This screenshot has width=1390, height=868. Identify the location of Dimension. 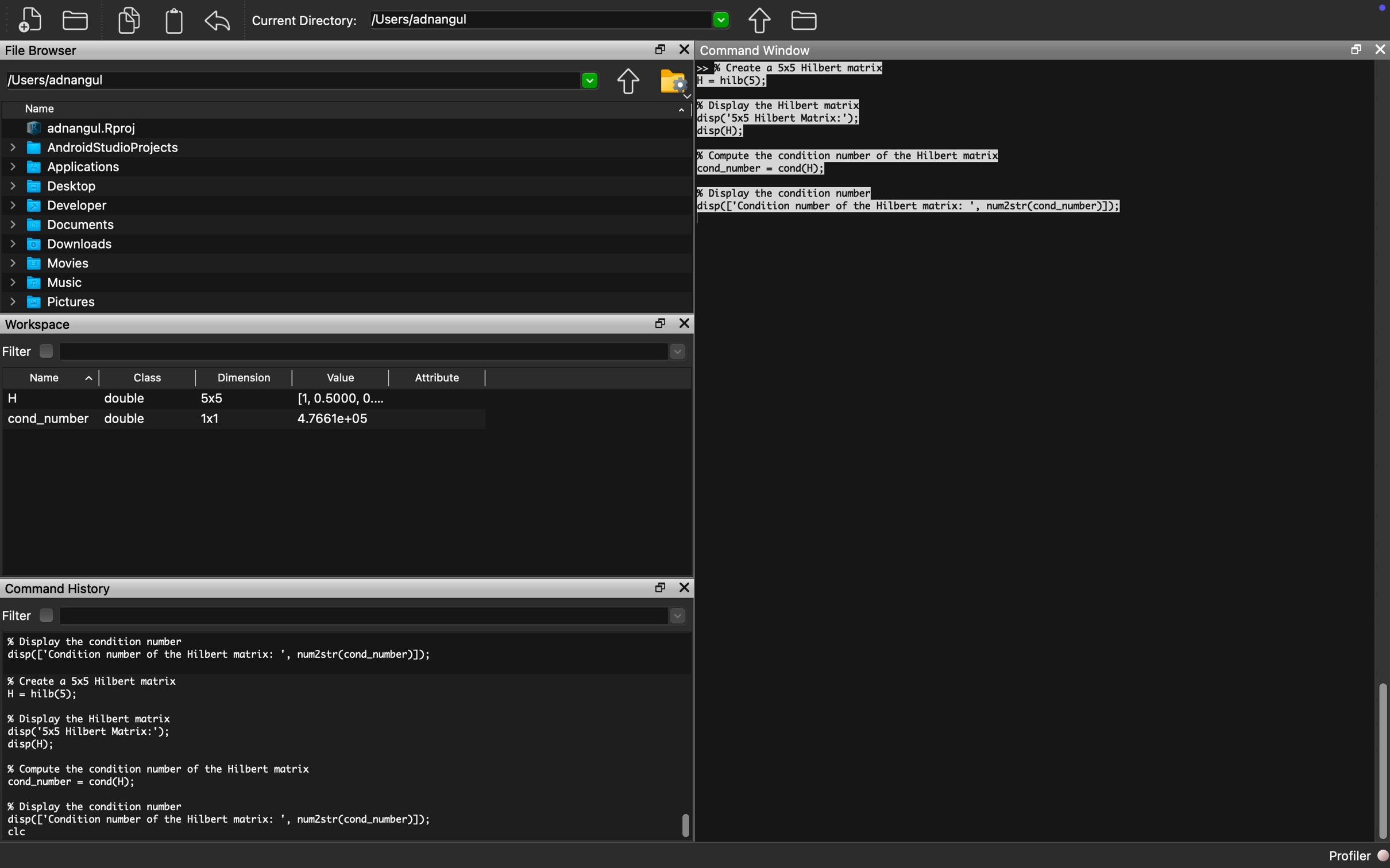
(248, 378).